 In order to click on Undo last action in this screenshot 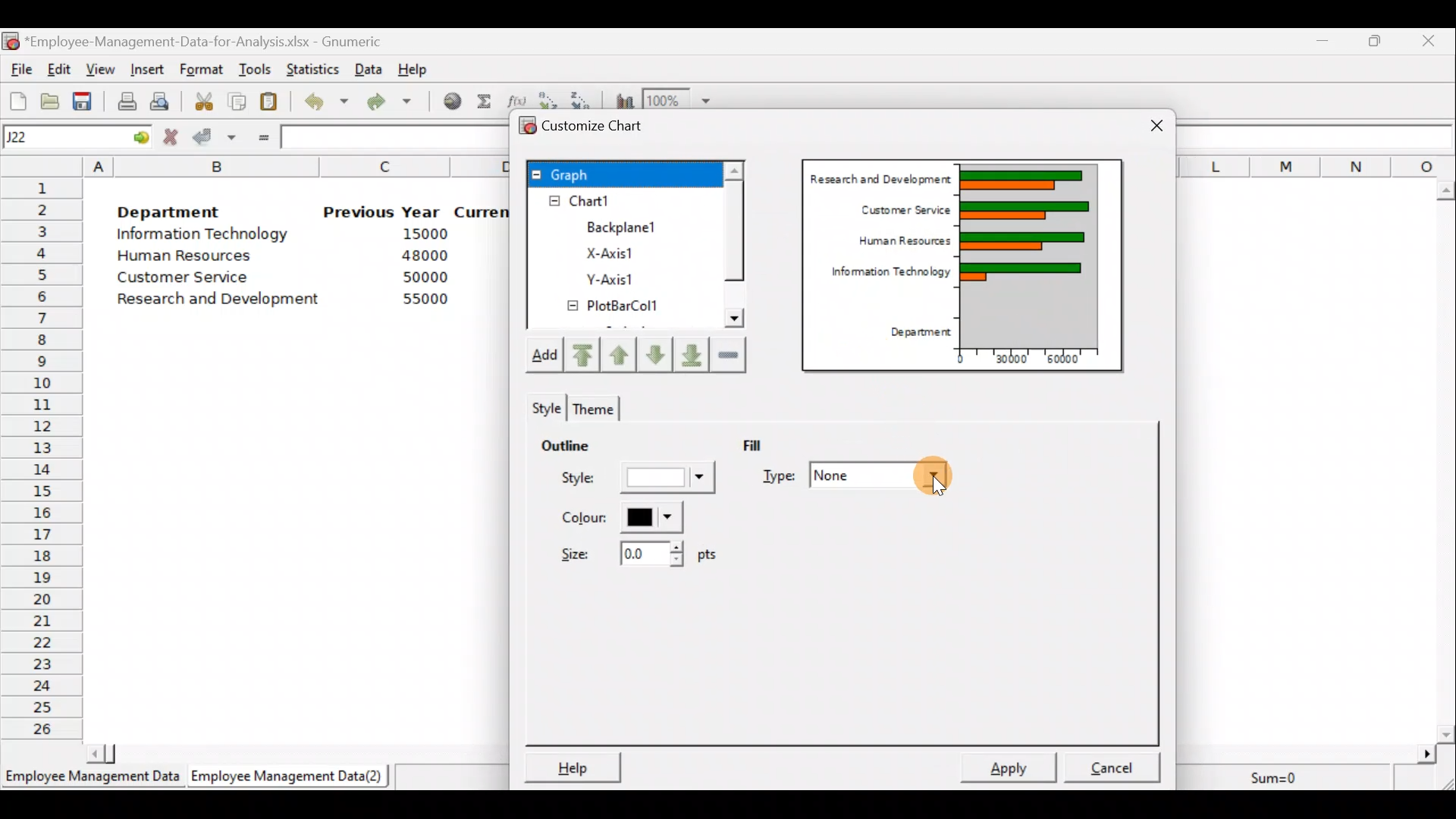, I will do `click(328, 105)`.